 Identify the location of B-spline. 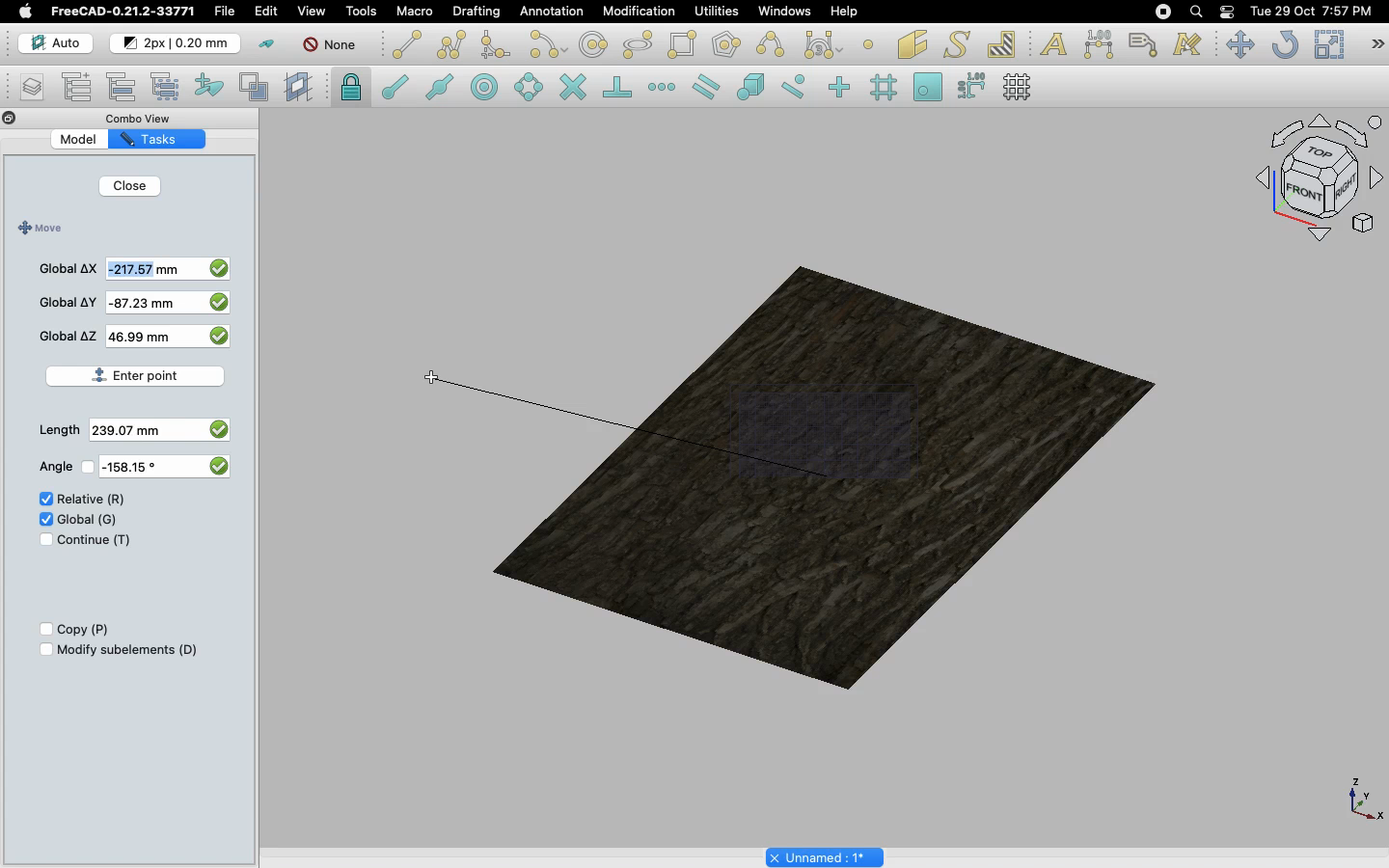
(774, 44).